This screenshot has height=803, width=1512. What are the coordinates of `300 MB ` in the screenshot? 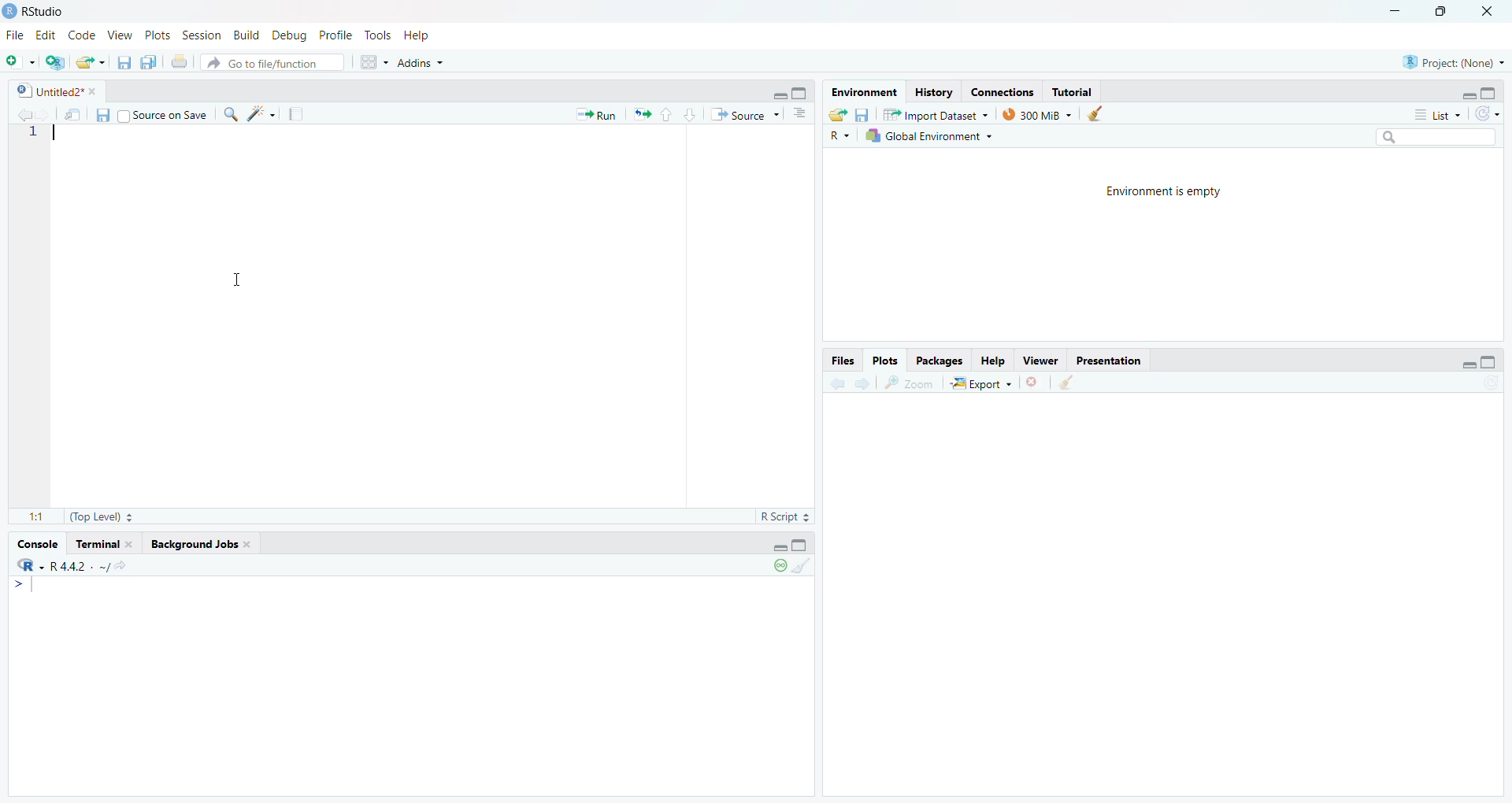 It's located at (1039, 114).